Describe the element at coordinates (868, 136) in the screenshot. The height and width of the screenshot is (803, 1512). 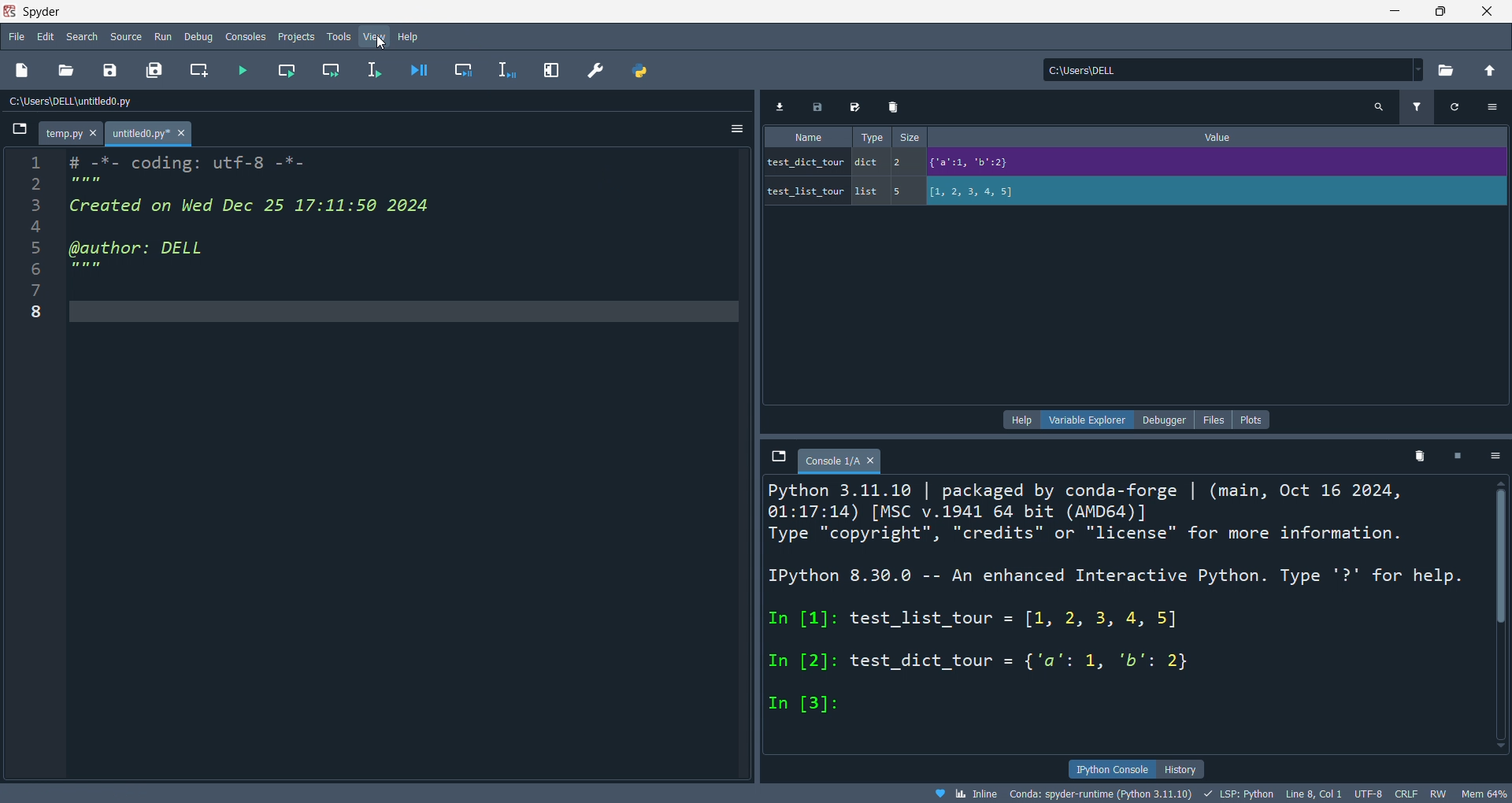
I see `type` at that location.